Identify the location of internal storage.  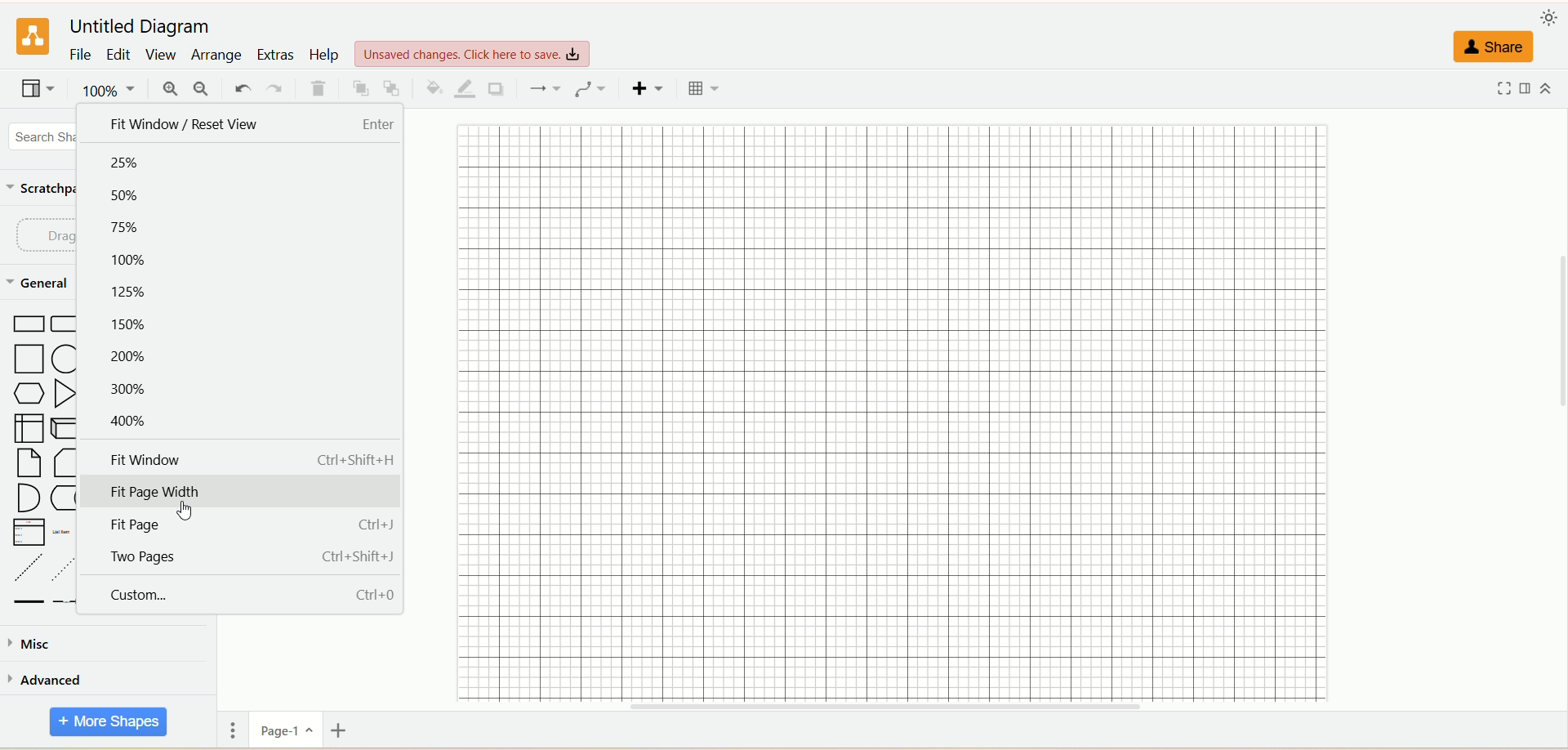
(29, 428).